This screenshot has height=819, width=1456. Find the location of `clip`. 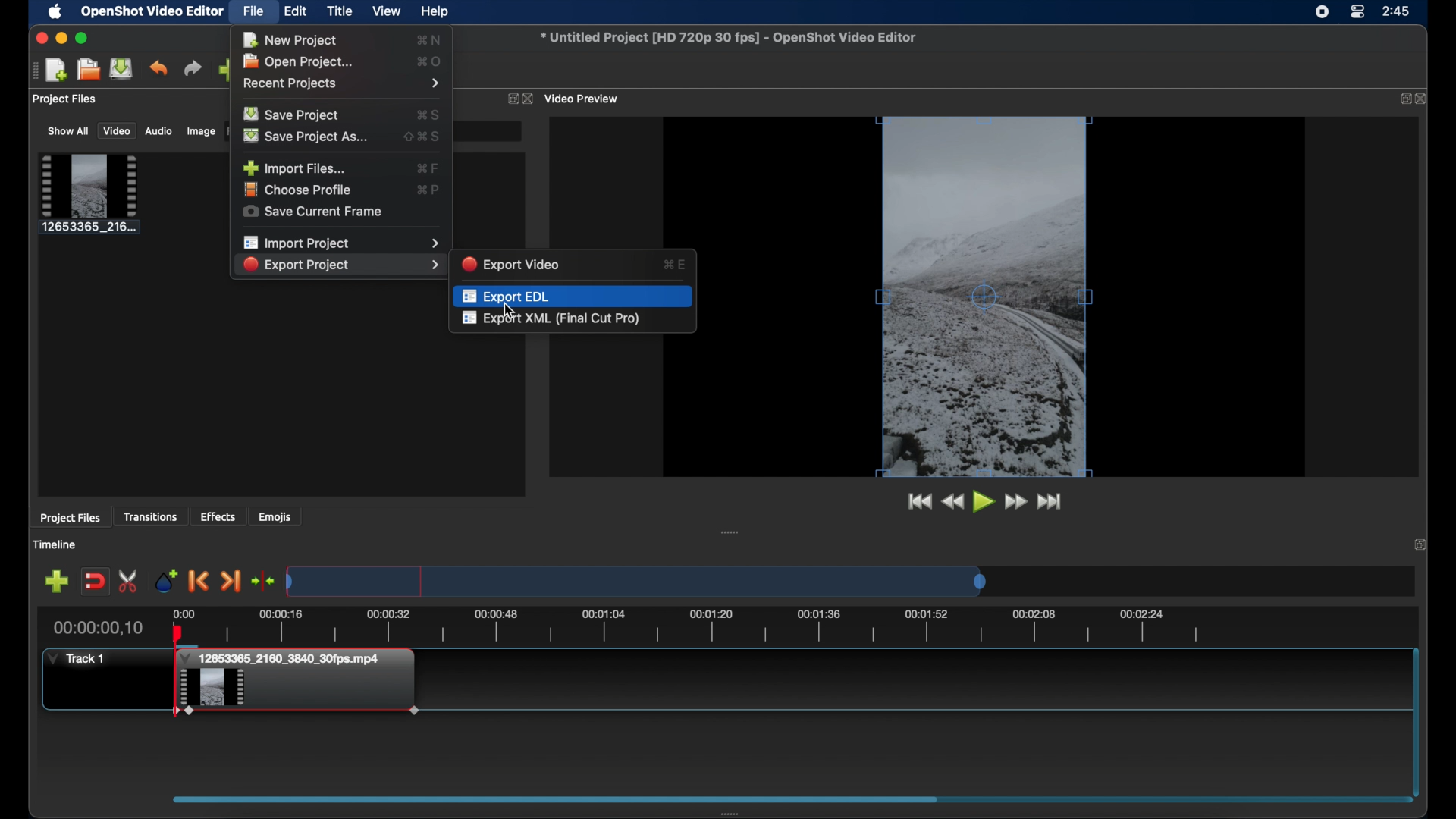

clip is located at coordinates (89, 194).